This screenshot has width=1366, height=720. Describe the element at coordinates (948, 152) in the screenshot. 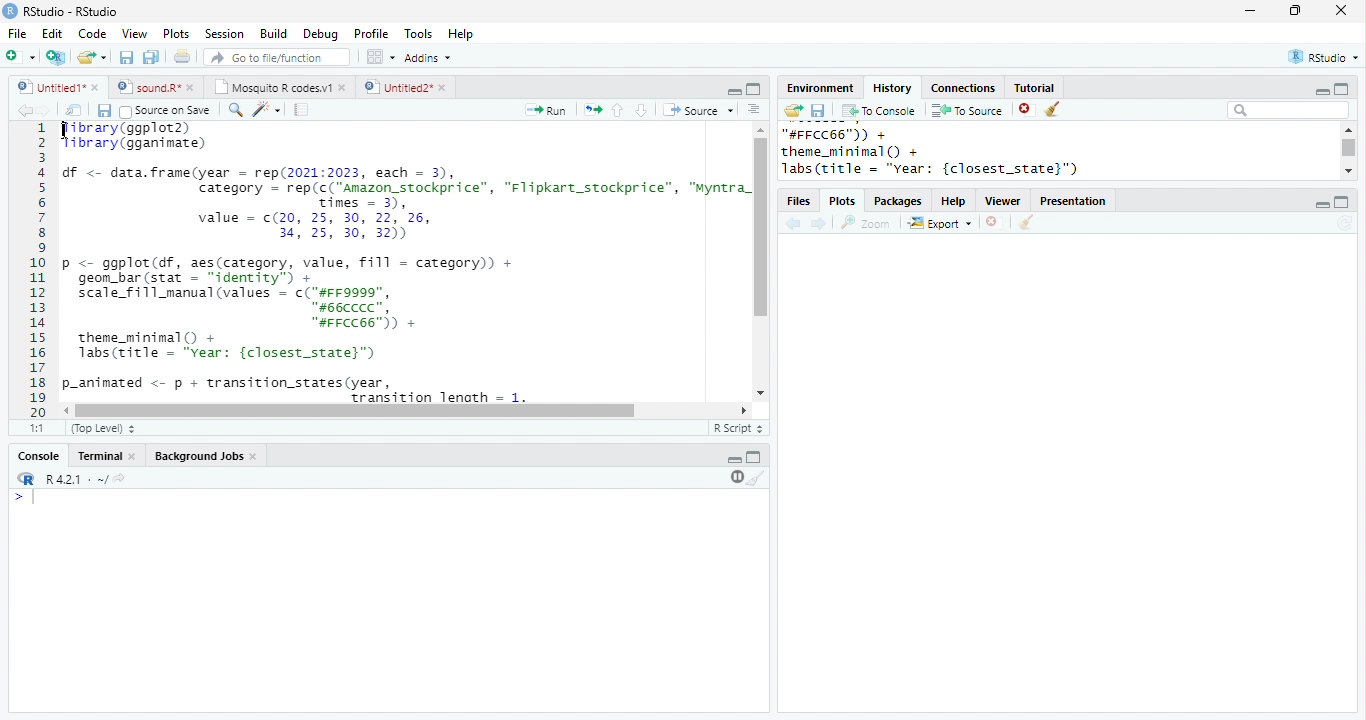

I see `"#FFCC66™)) +
theme_minimal () +
Jabs(title = "vear: {closest_state}")` at that location.